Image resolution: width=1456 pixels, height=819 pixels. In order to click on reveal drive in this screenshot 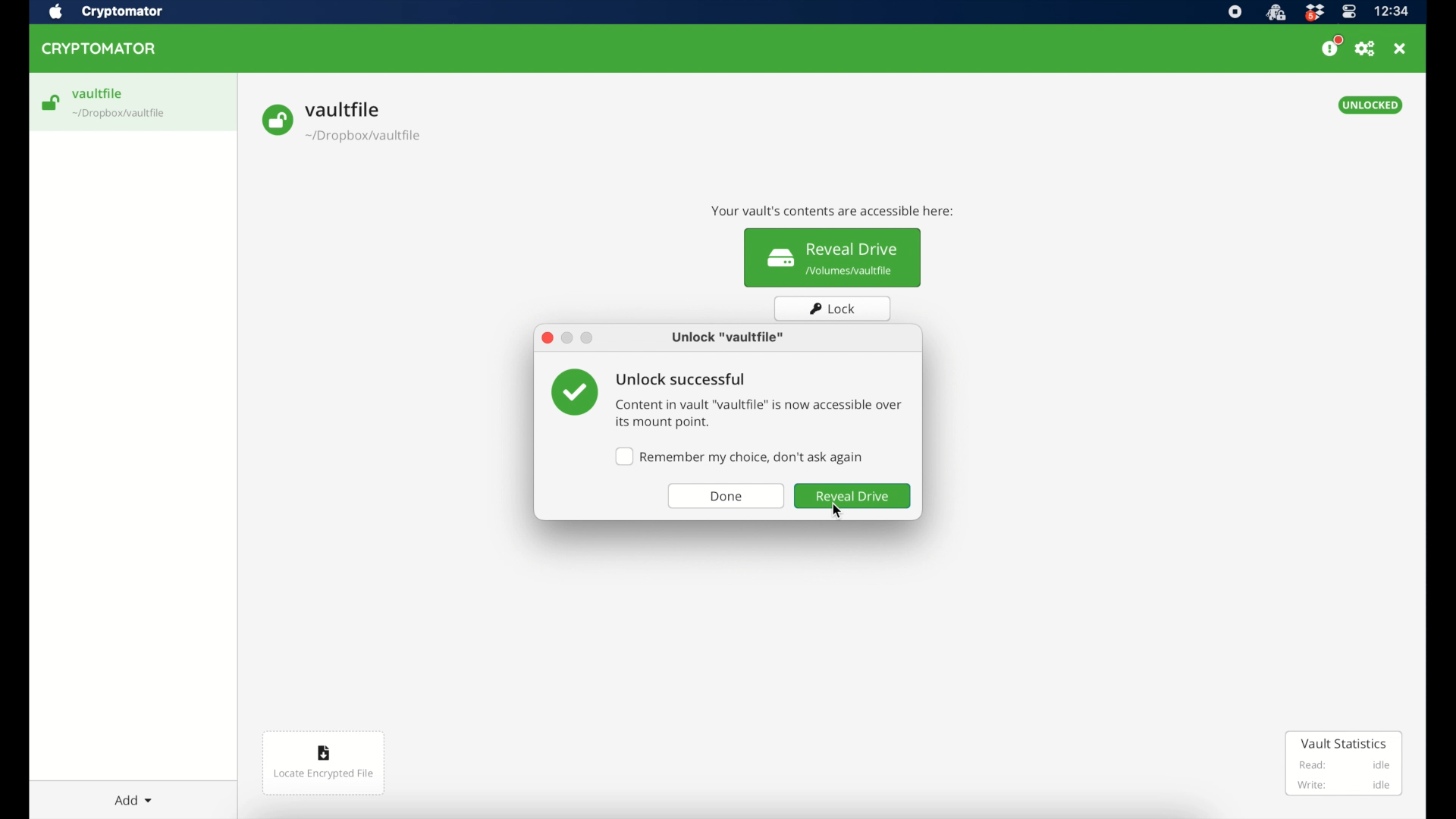, I will do `click(833, 258)`.